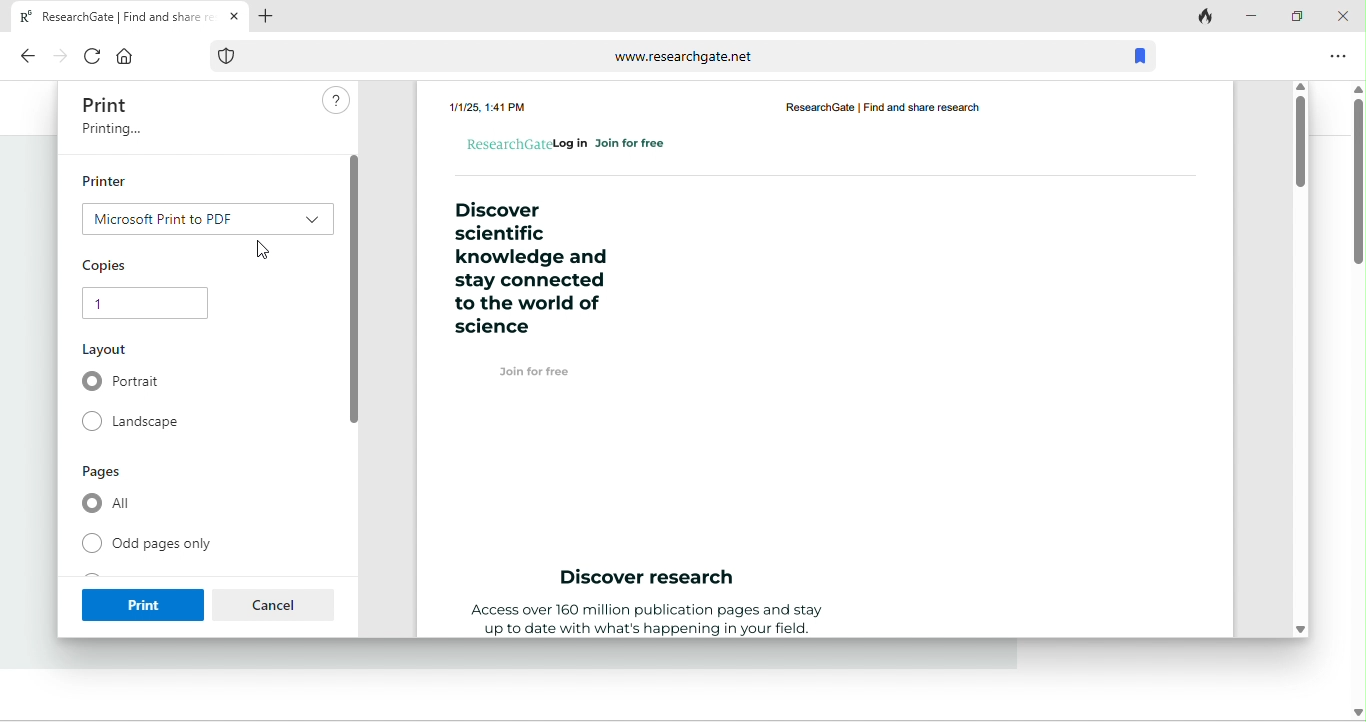 This screenshot has width=1366, height=722. I want to click on vertical scroll bar, so click(352, 288).